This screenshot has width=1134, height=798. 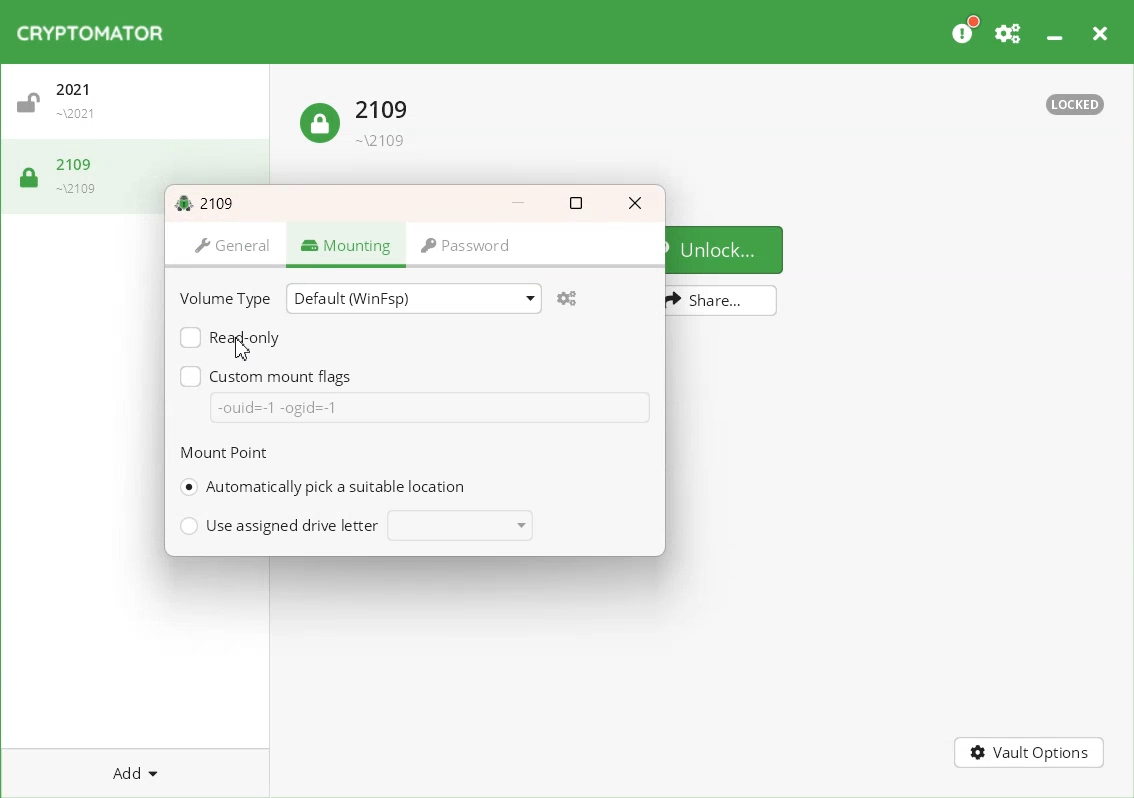 What do you see at coordinates (140, 106) in the screenshot?
I see `Unlock Vault` at bounding box center [140, 106].